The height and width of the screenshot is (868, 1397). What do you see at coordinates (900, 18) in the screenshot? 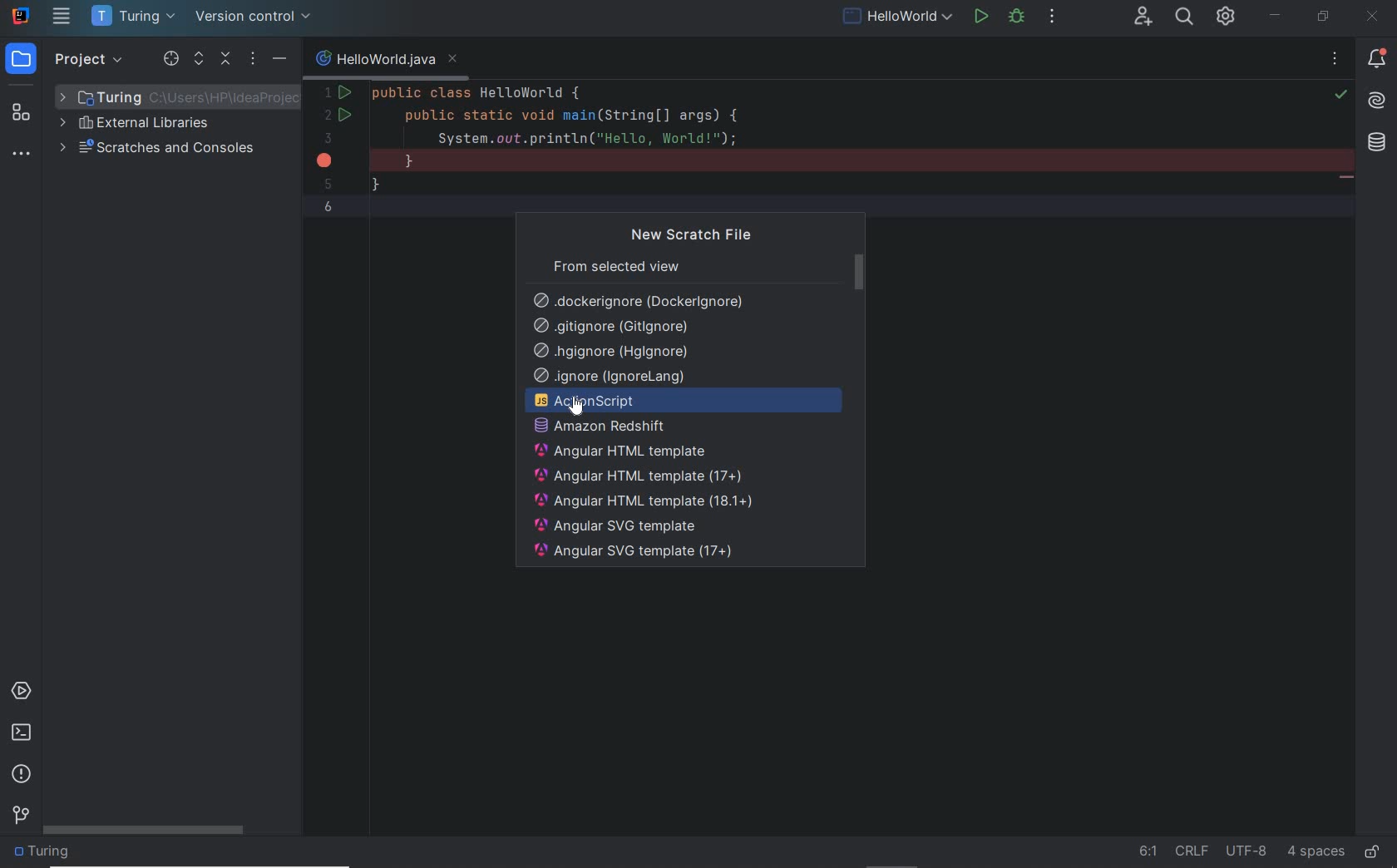
I see `run or debug configurations` at bounding box center [900, 18].